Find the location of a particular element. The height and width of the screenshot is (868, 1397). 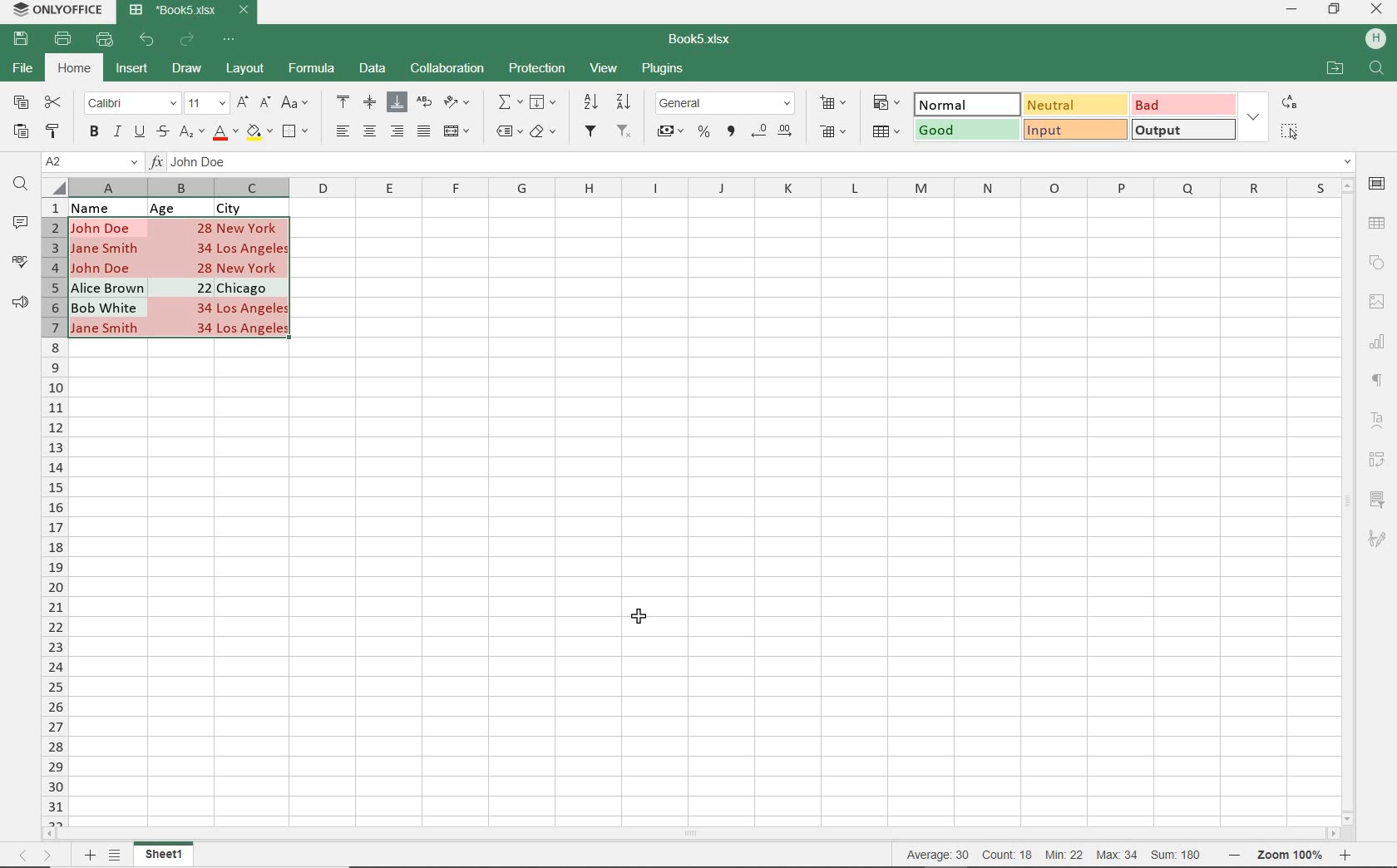

OUTPUT is located at coordinates (1182, 129).